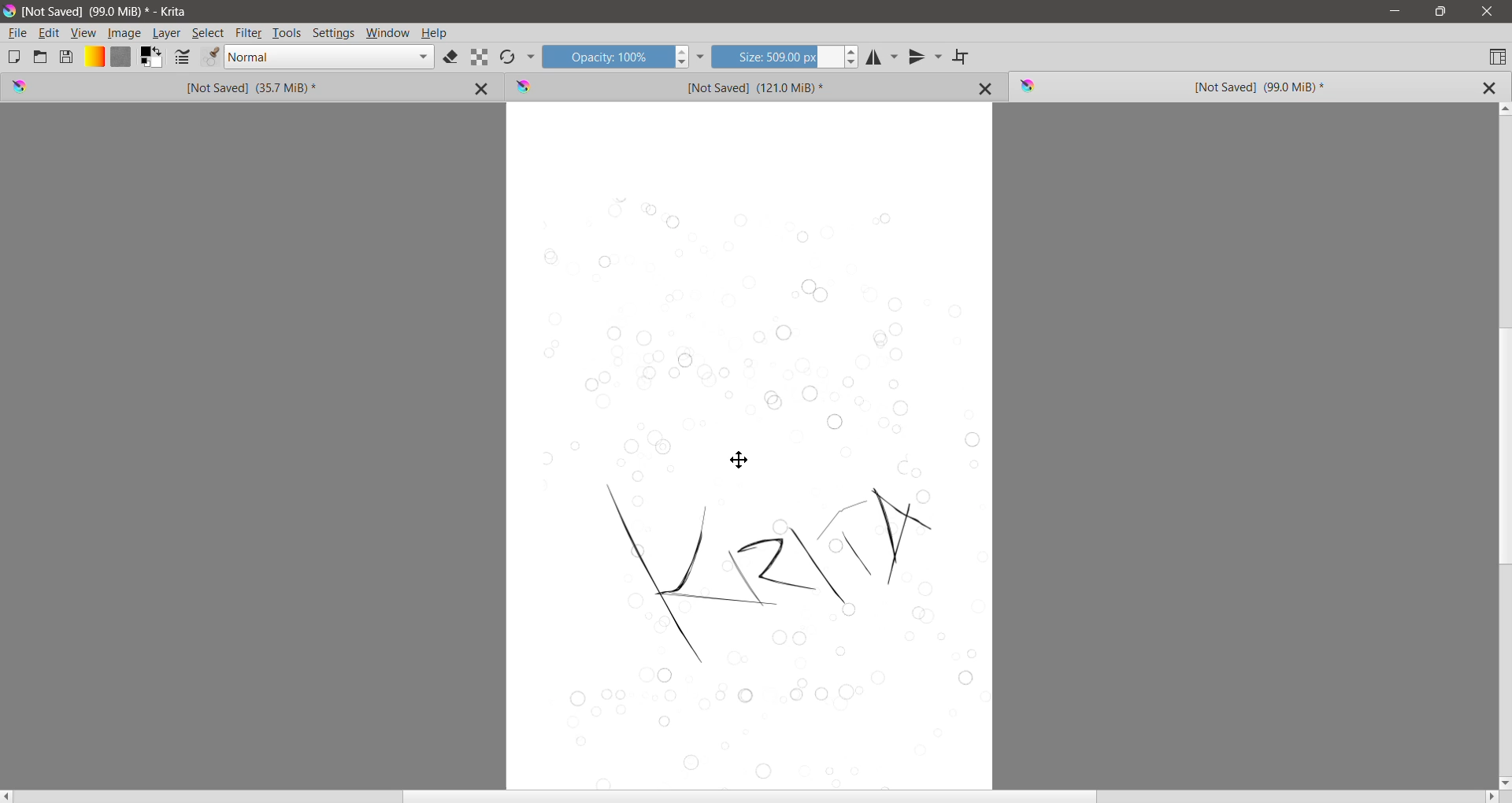 Image resolution: width=1512 pixels, height=803 pixels. Describe the element at coordinates (1440, 12) in the screenshot. I see `Restore Down` at that location.